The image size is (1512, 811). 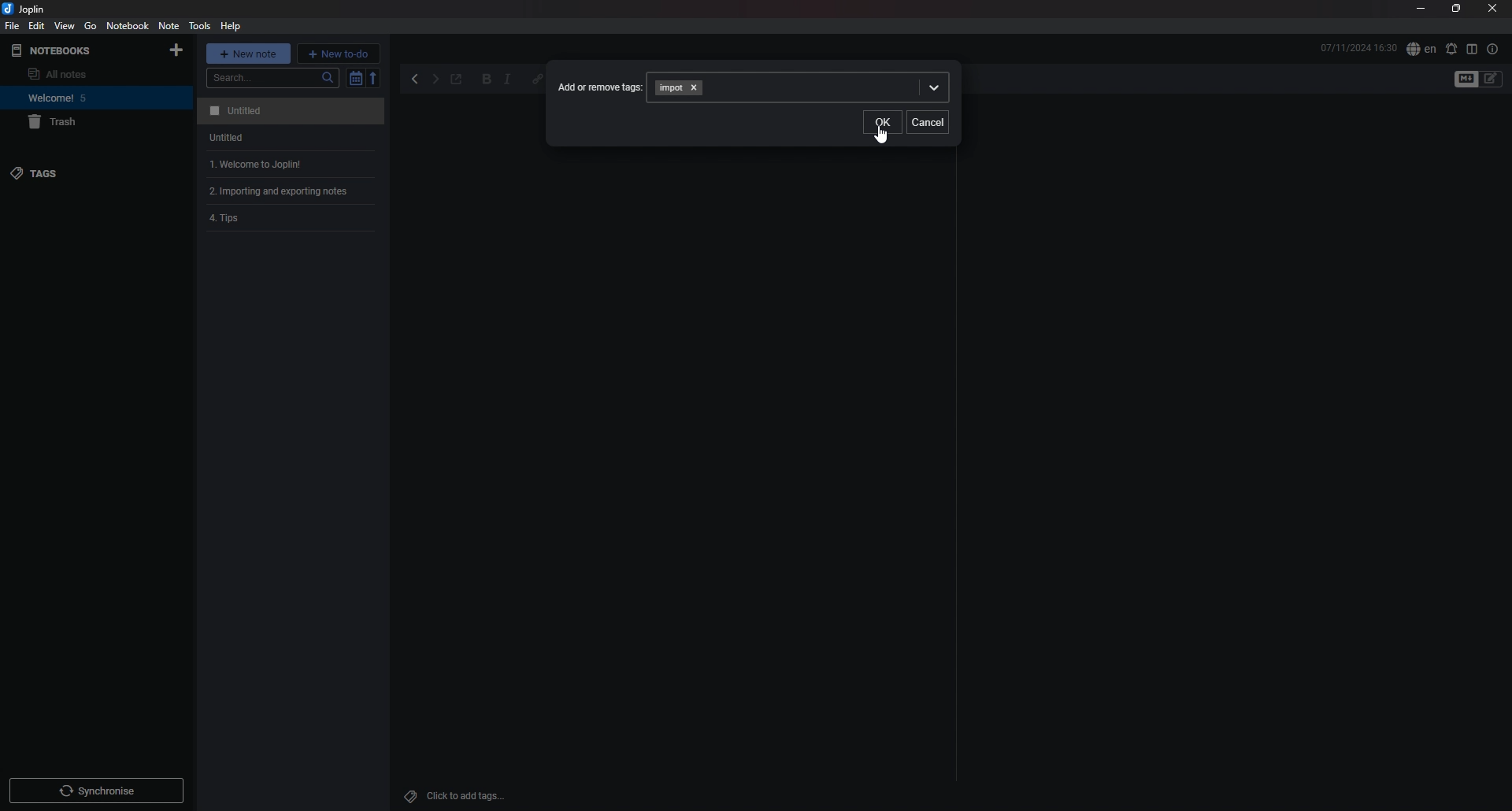 I want to click on add tags, so click(x=461, y=796).